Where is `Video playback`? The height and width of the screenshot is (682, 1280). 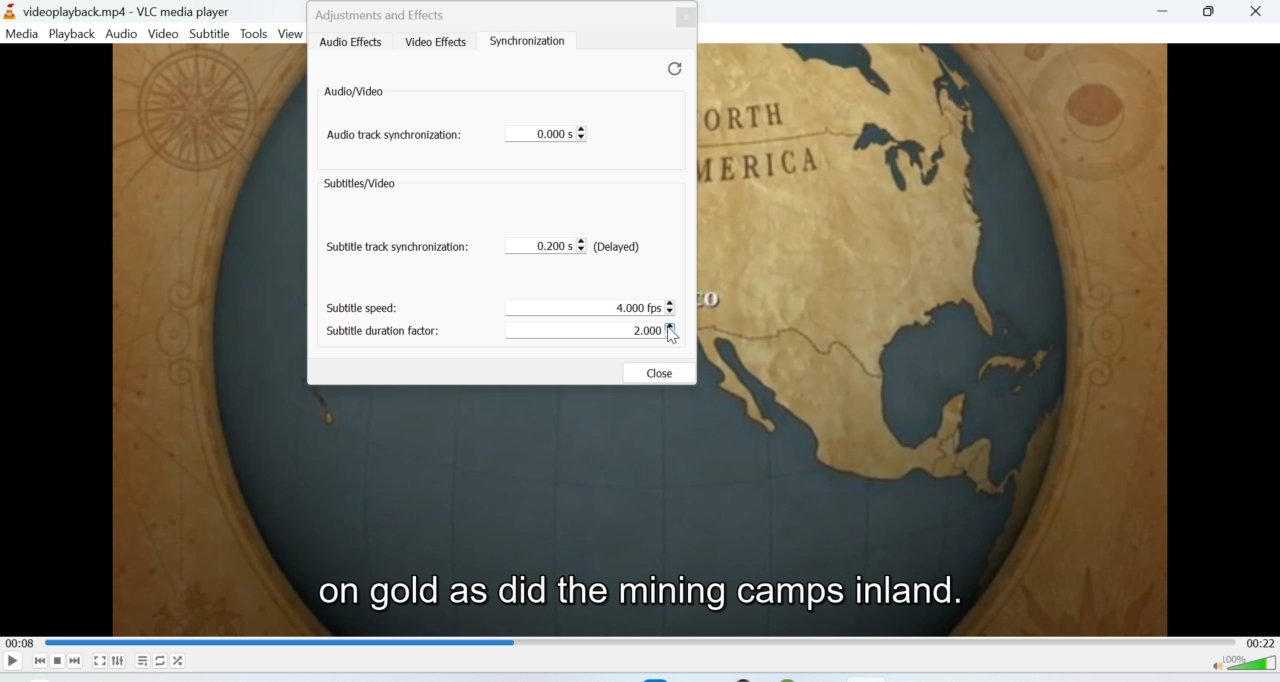
Video playback is located at coordinates (636, 512).